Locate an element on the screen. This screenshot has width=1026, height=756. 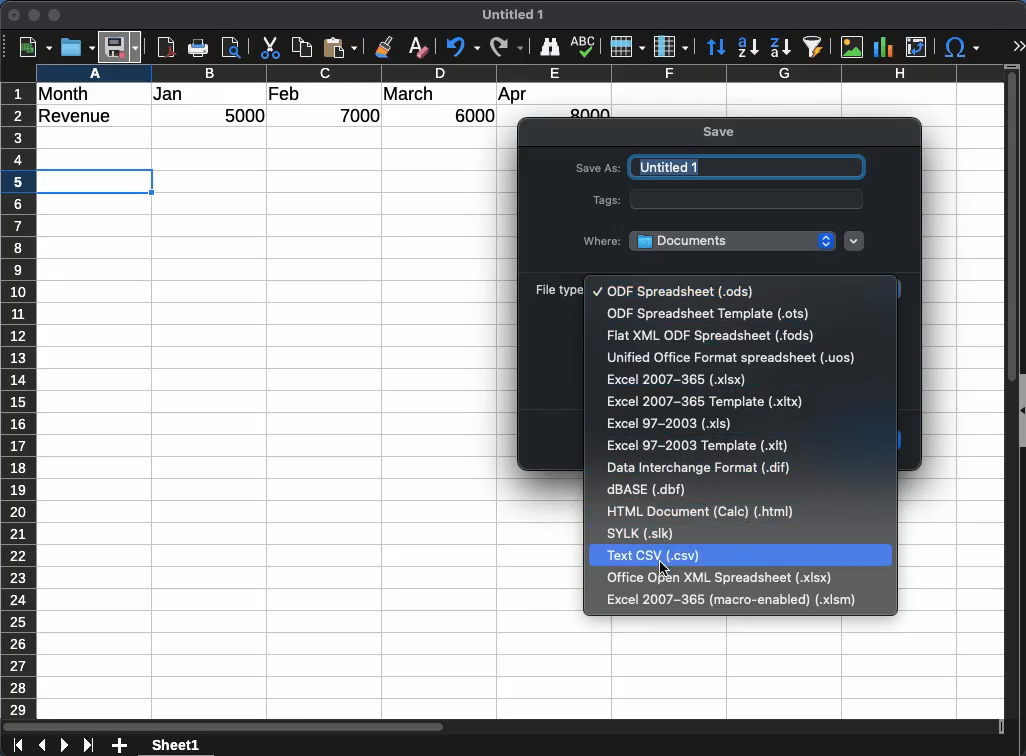
Data interchange format is located at coordinates (700, 467).